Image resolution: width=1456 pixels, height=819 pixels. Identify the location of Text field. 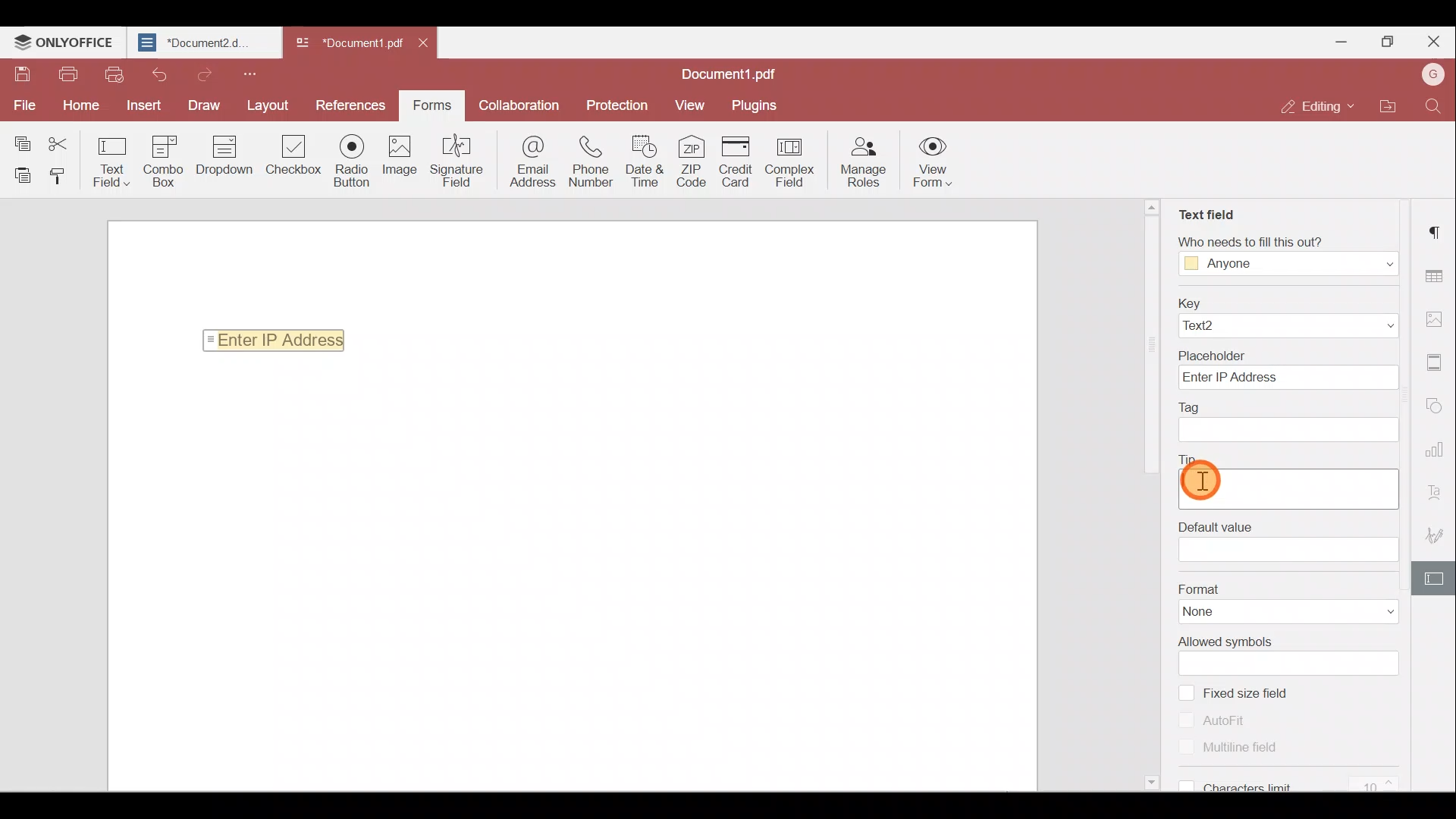
(1205, 209).